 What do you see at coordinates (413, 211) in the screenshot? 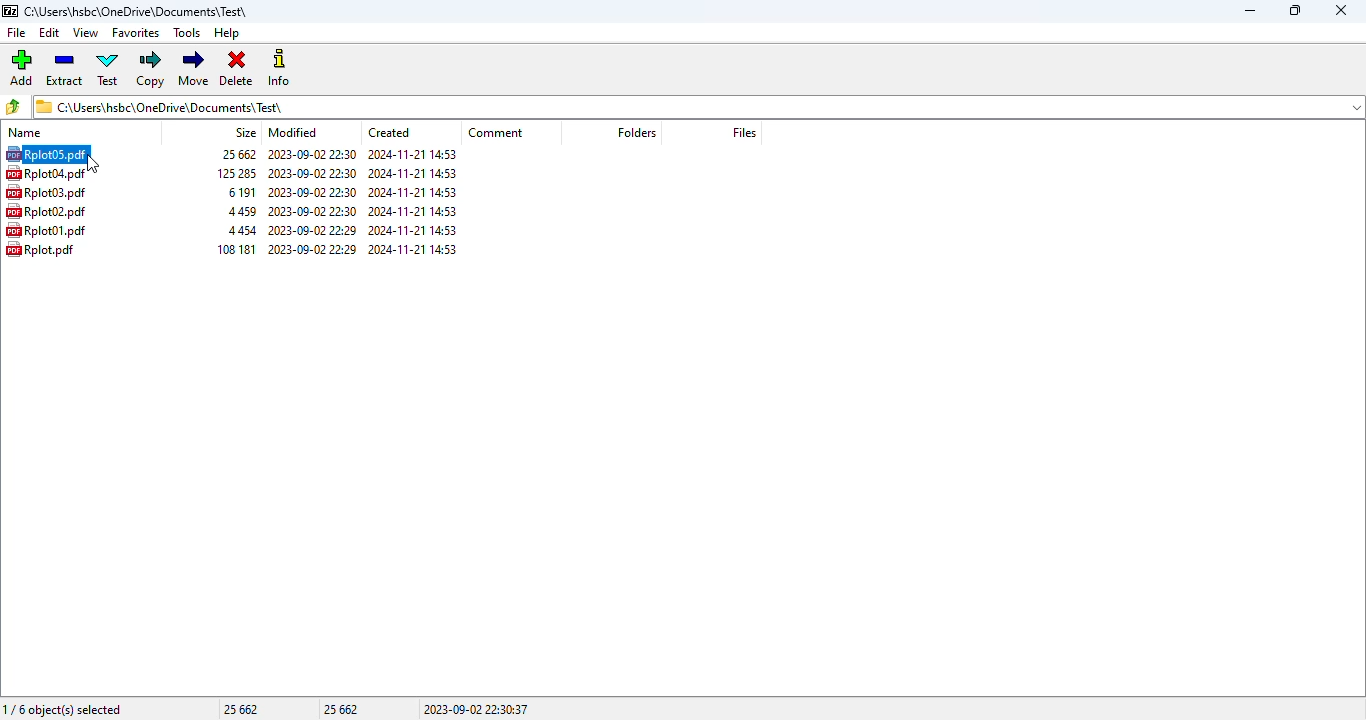
I see `created date & time` at bounding box center [413, 211].